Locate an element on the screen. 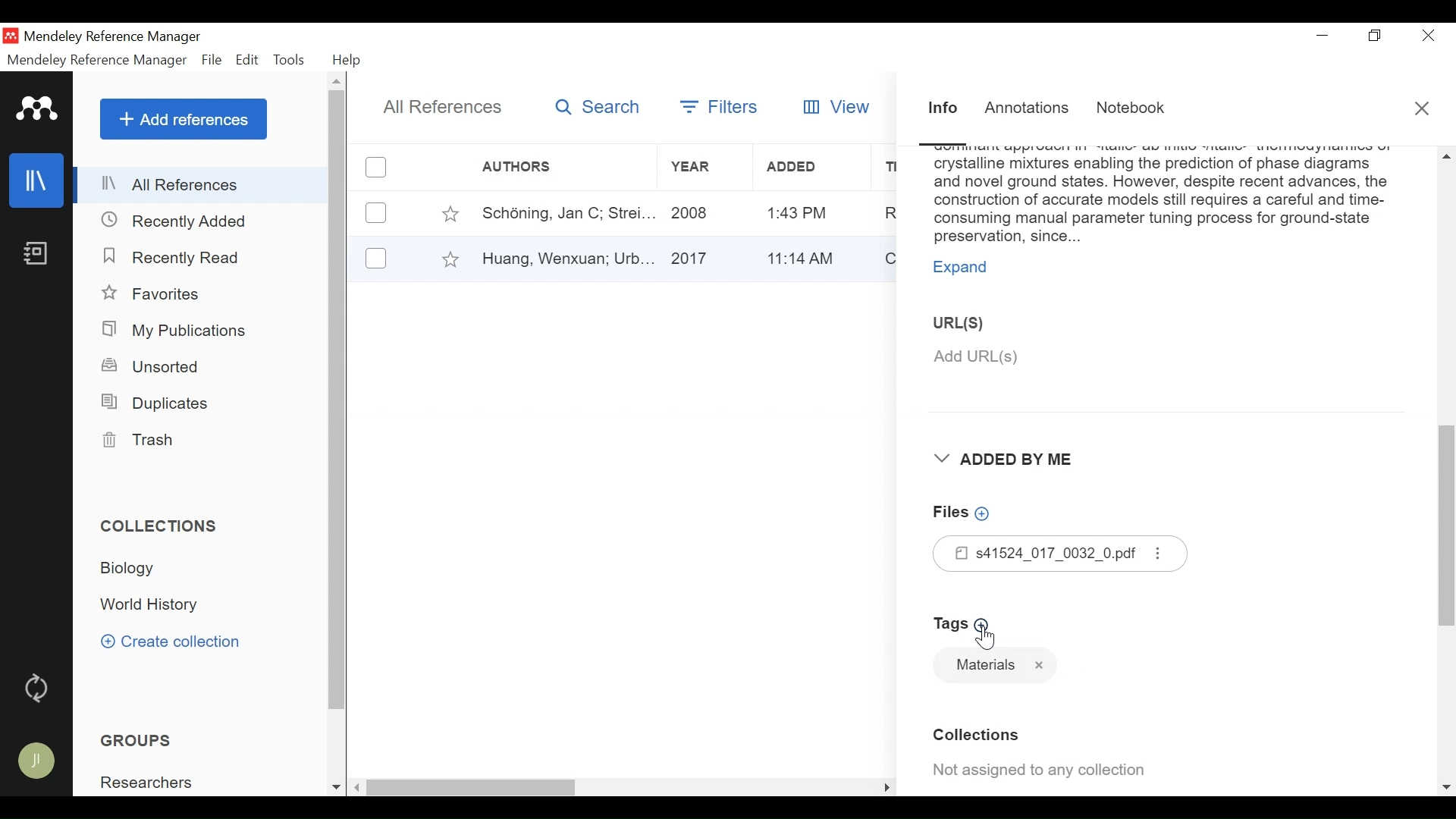 The image size is (1456, 819). Expand is located at coordinates (966, 269).